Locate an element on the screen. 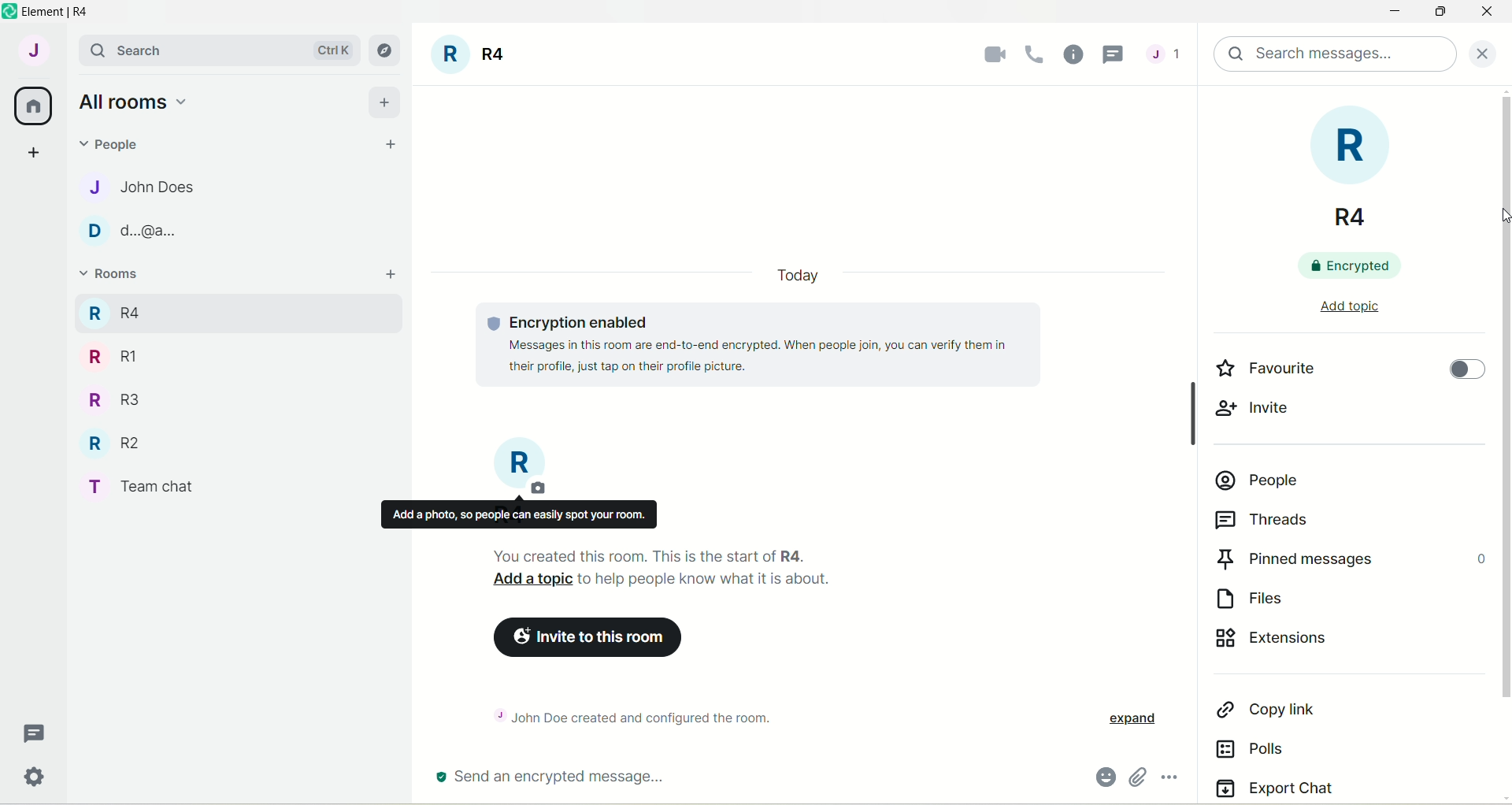 The width and height of the screenshot is (1512, 805). all rooms is located at coordinates (132, 101).